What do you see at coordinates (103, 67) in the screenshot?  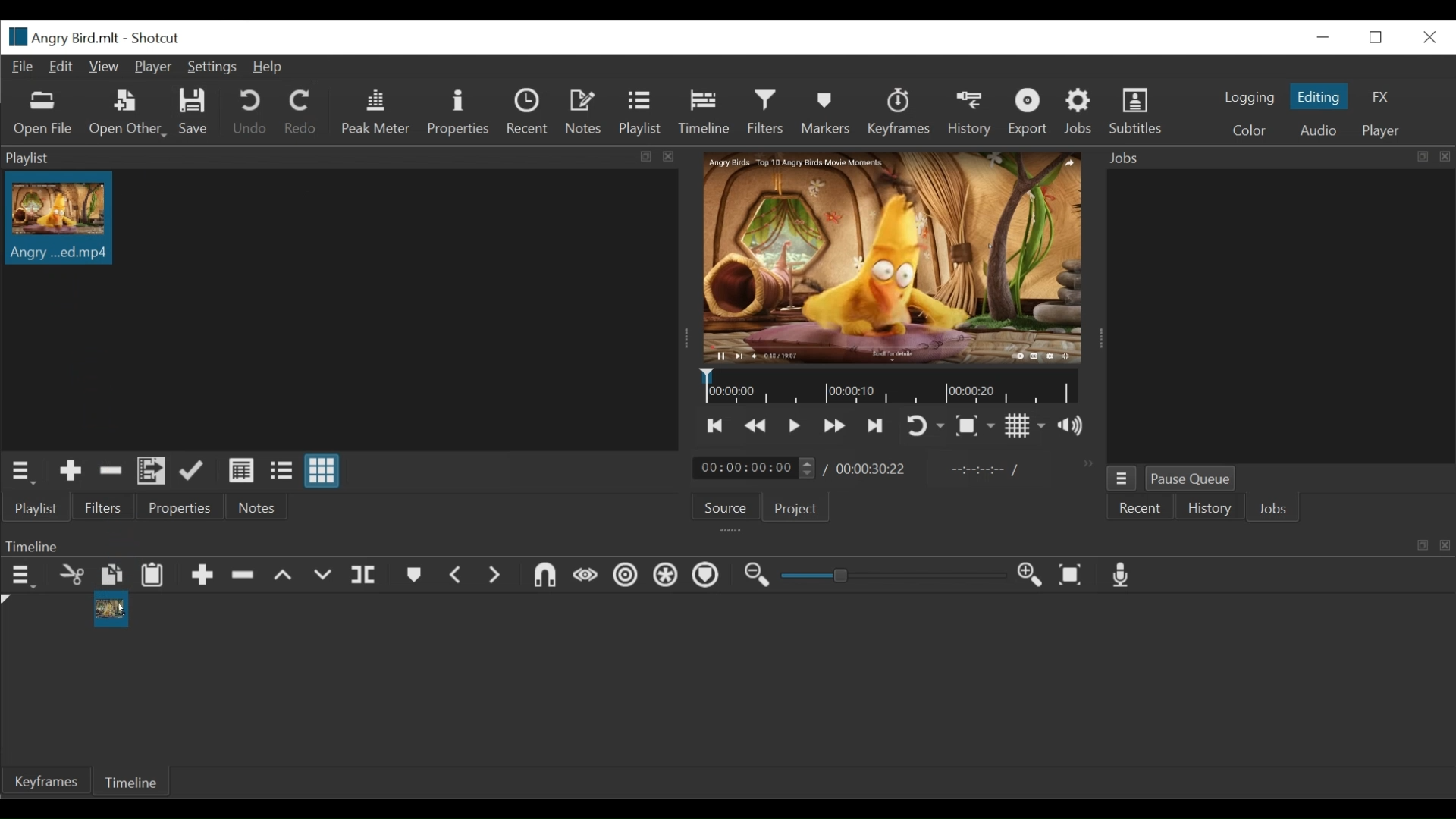 I see `View` at bounding box center [103, 67].